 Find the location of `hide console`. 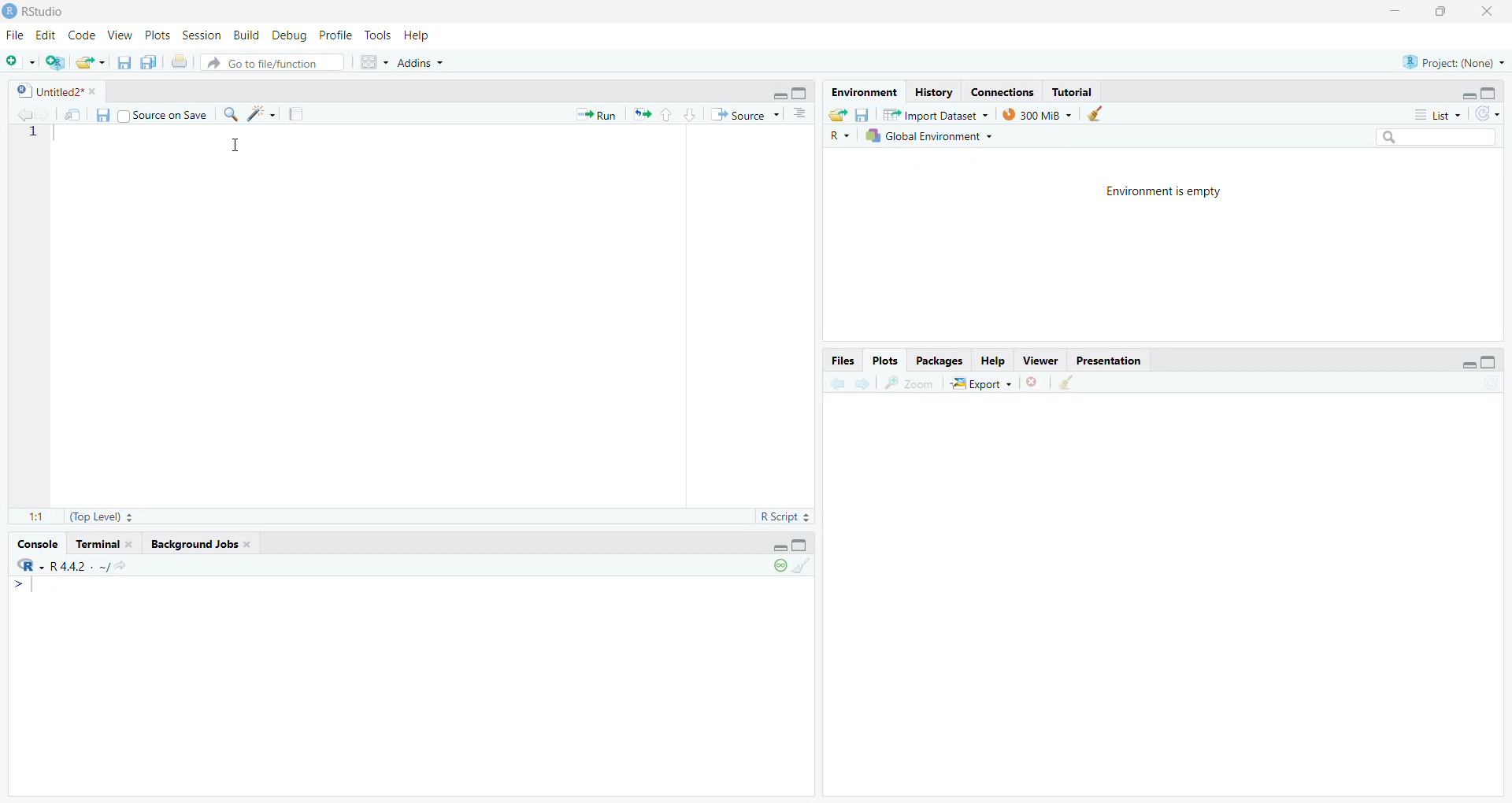

hide console is located at coordinates (800, 94).